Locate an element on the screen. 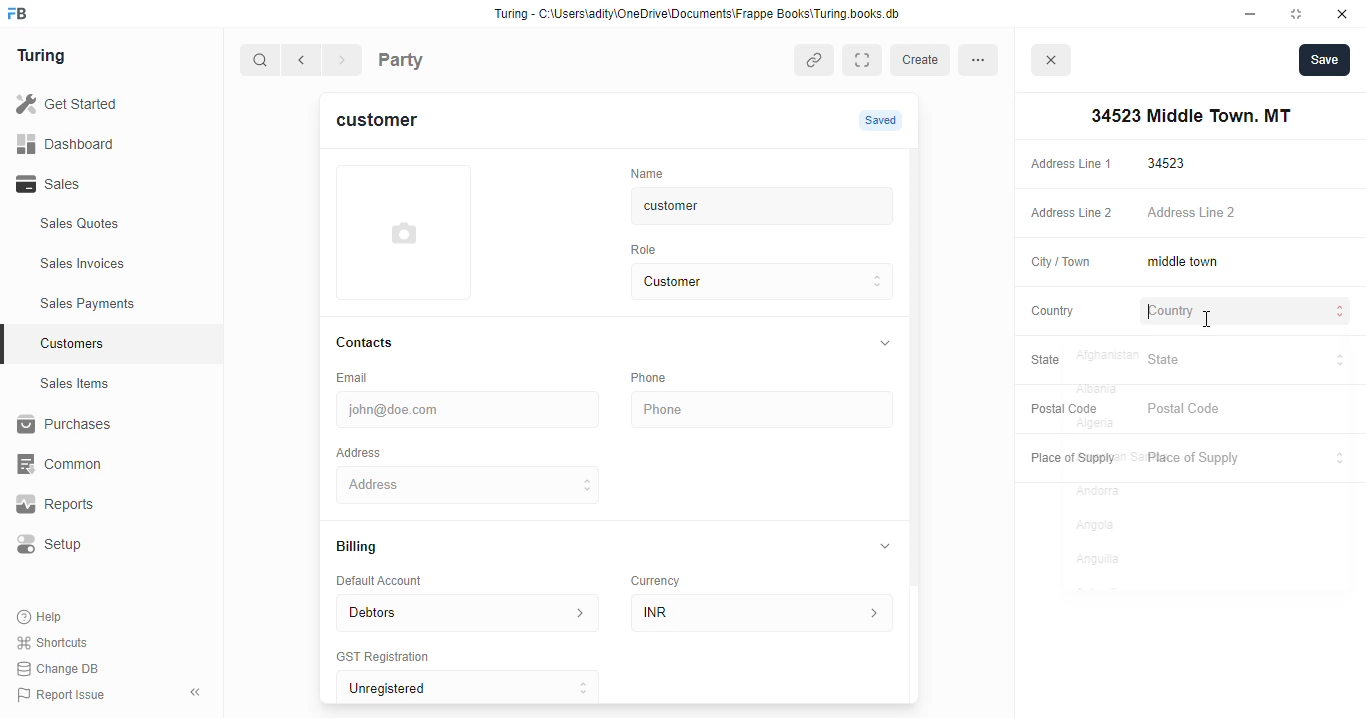  Turing - C:\Users\adity\OneDrive\Documents\Frappe Books\Turing books. db is located at coordinates (703, 16).